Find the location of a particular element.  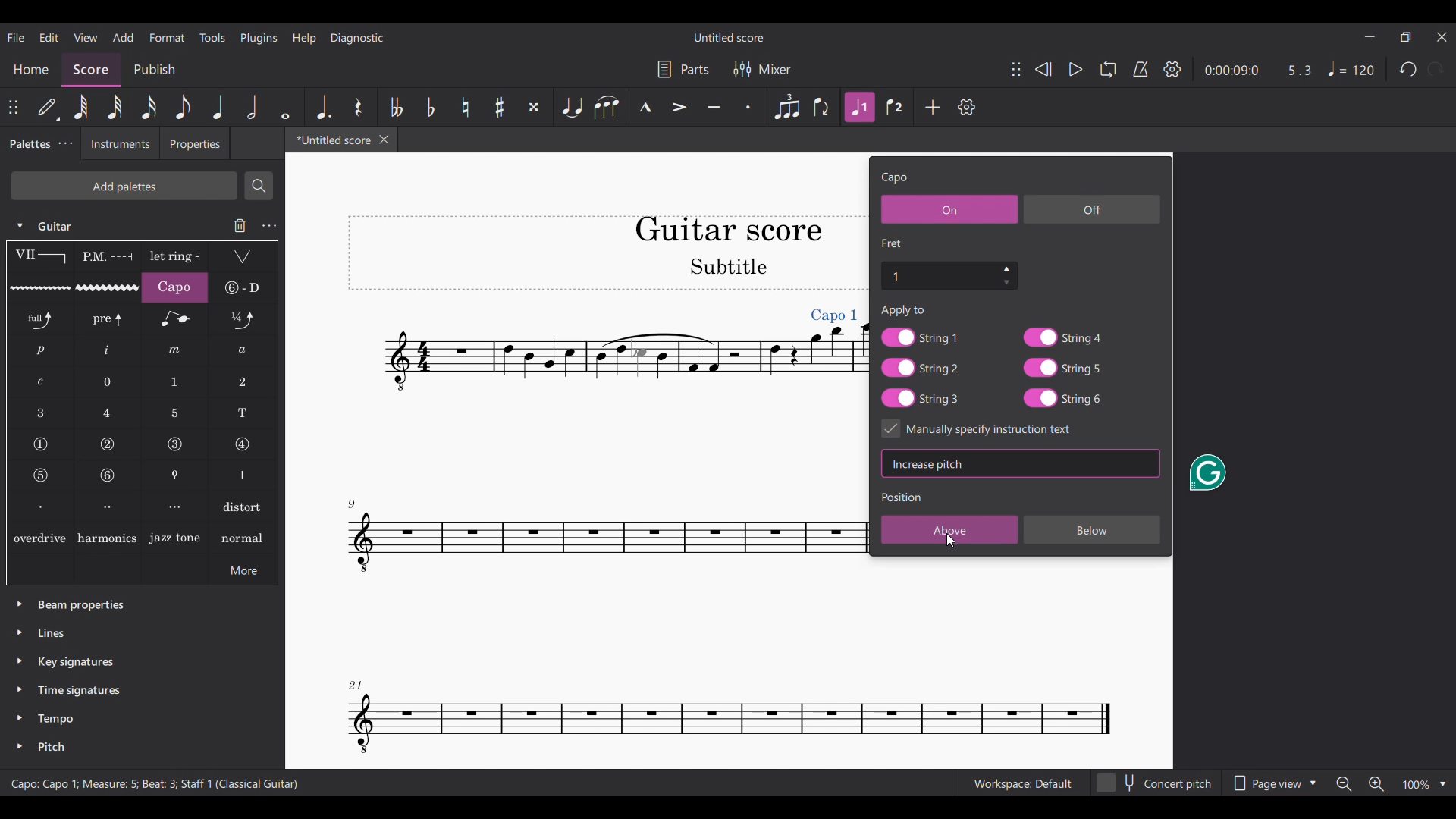

Description of current selection is located at coordinates (155, 783).